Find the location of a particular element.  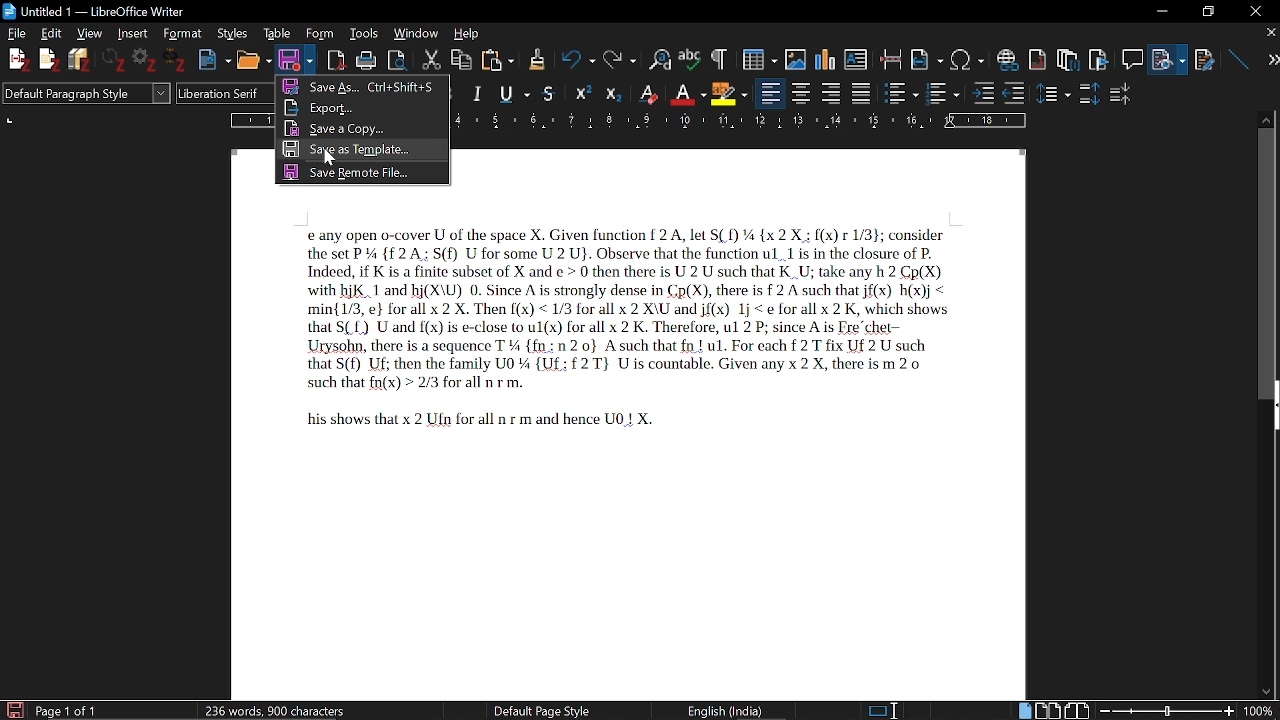

Insert diagram is located at coordinates (825, 56).